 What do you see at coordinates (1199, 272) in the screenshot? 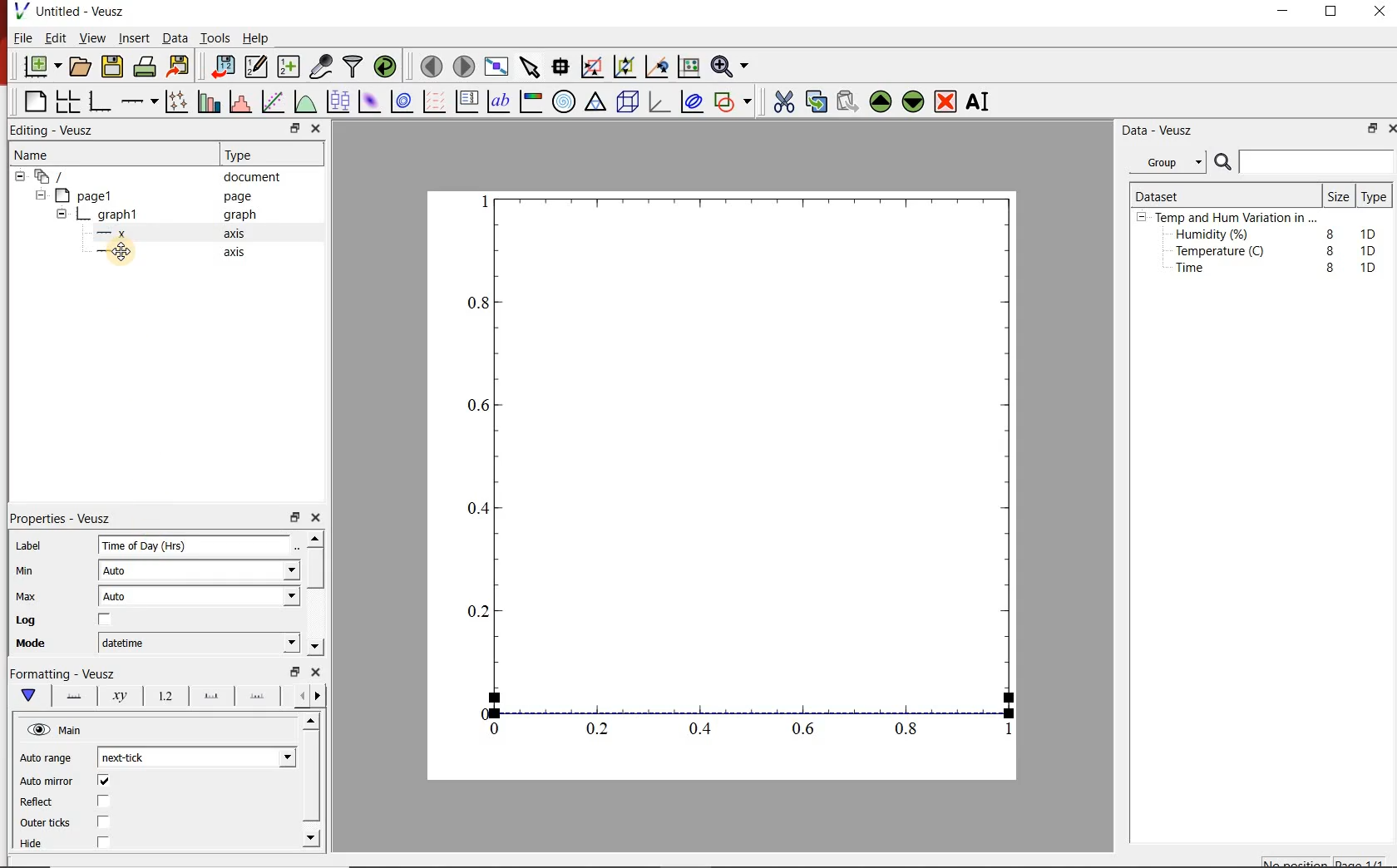
I see `Time` at bounding box center [1199, 272].